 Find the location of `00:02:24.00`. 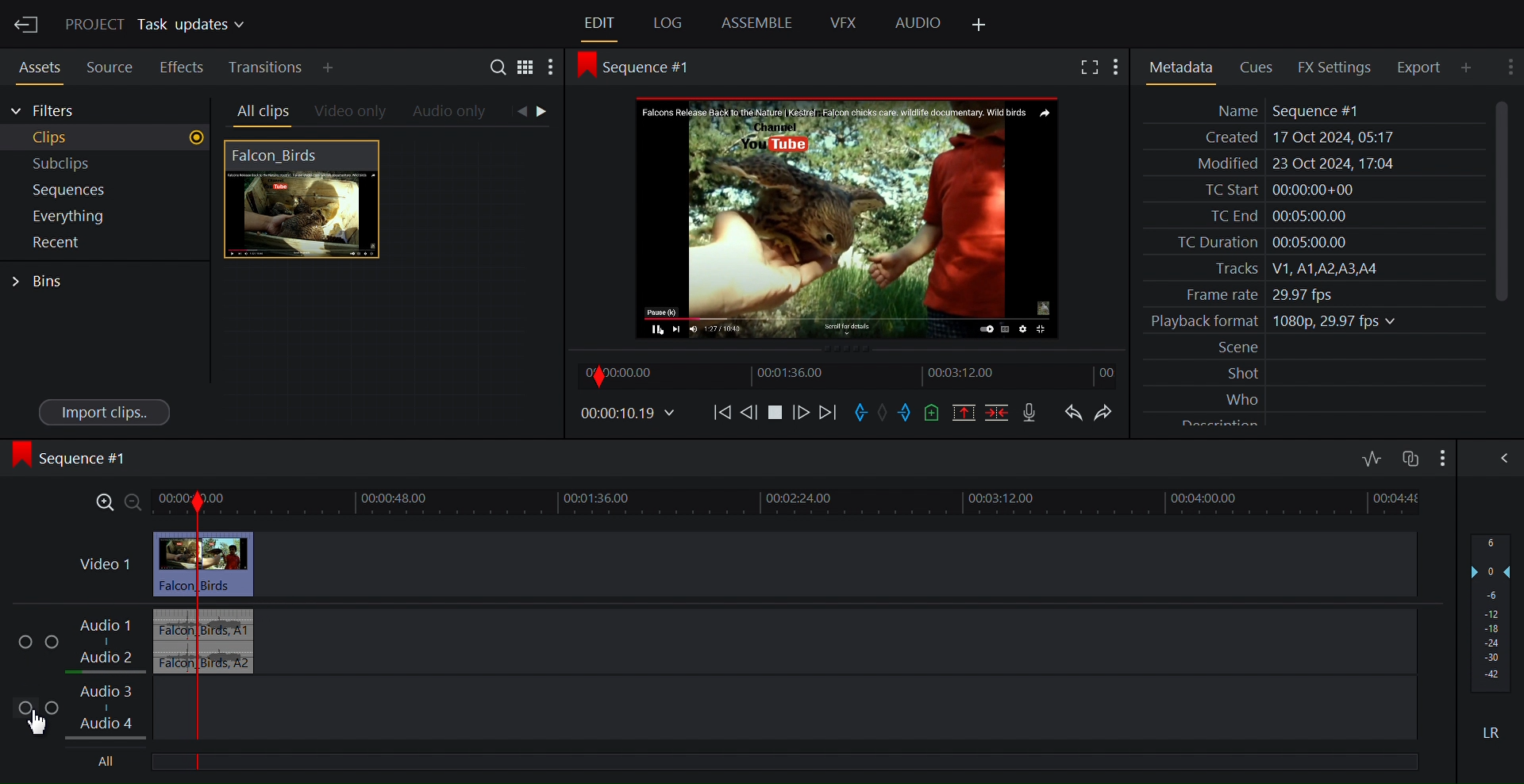

00:02:24.00 is located at coordinates (798, 498).